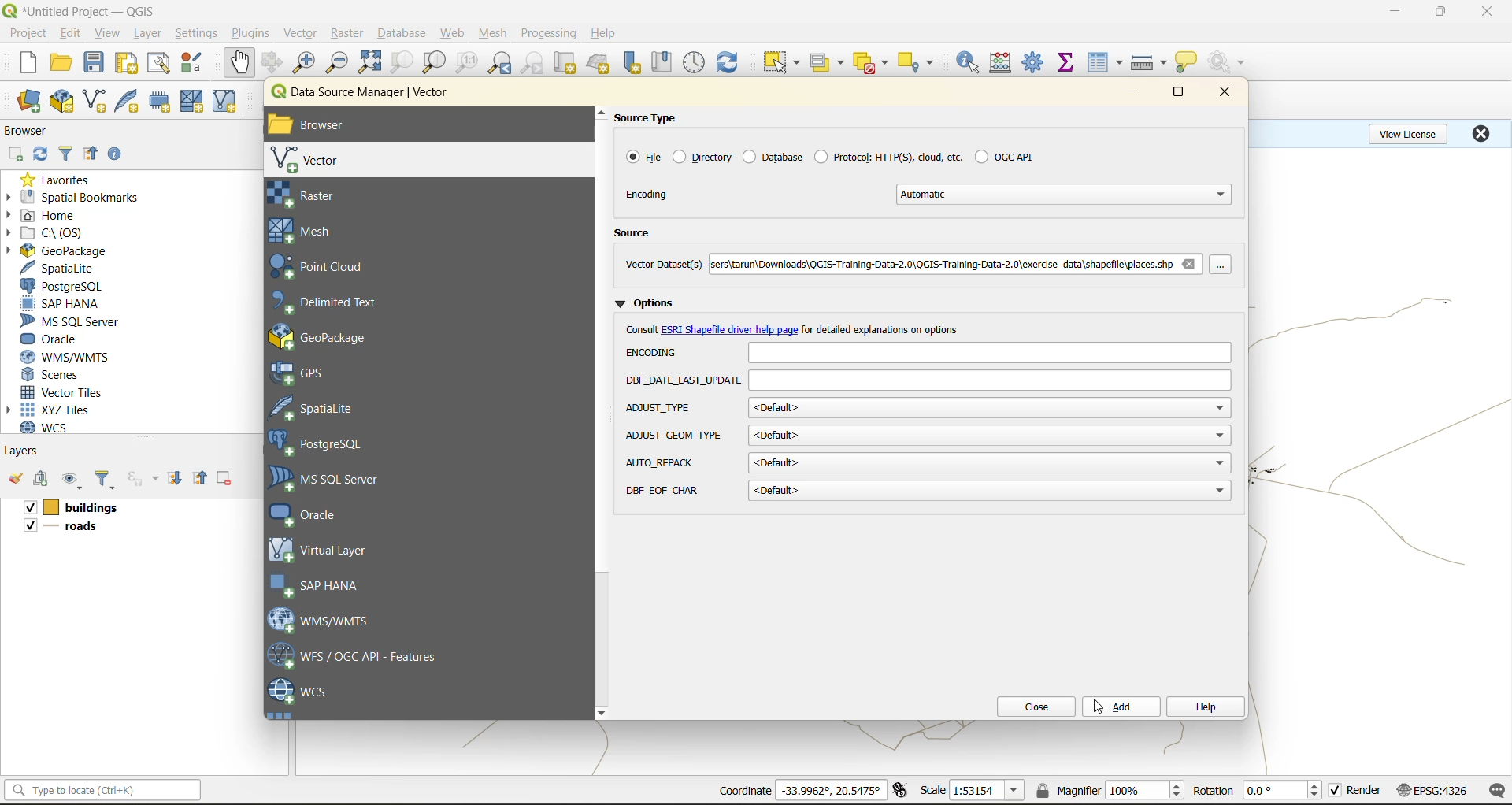 The height and width of the screenshot is (805, 1512). I want to click on processing, so click(549, 34).